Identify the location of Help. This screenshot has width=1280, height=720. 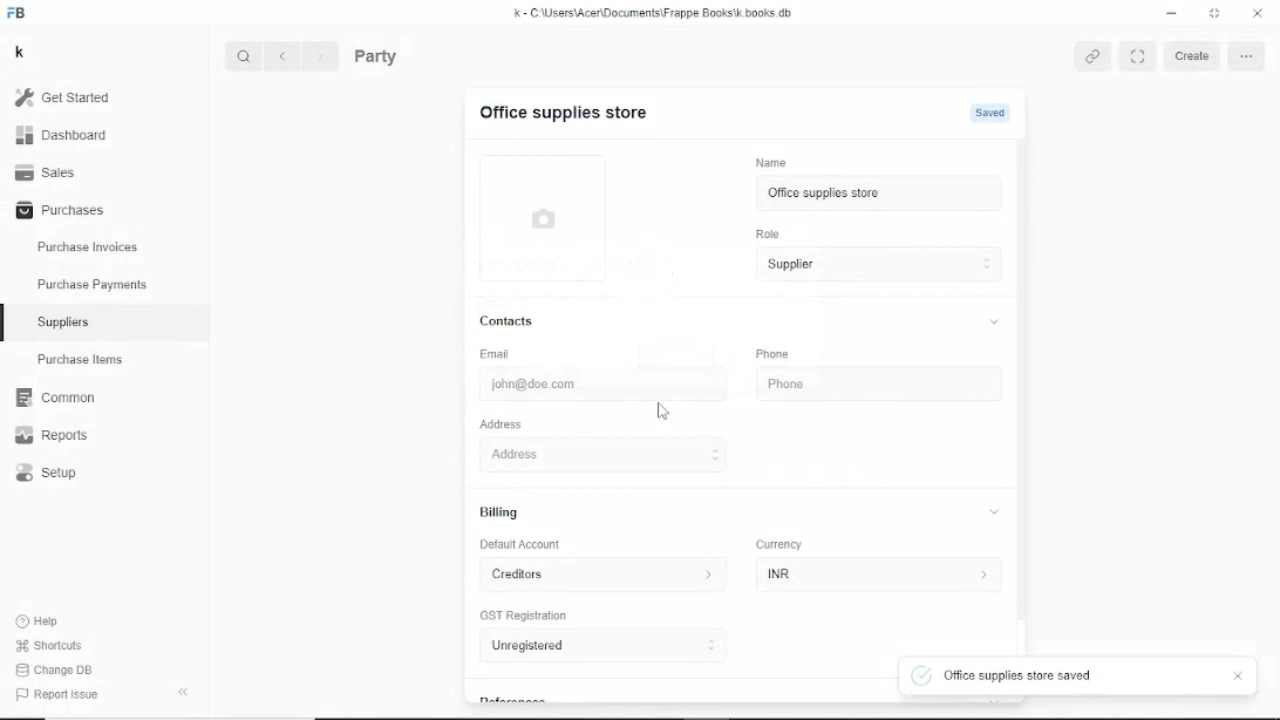
(39, 620).